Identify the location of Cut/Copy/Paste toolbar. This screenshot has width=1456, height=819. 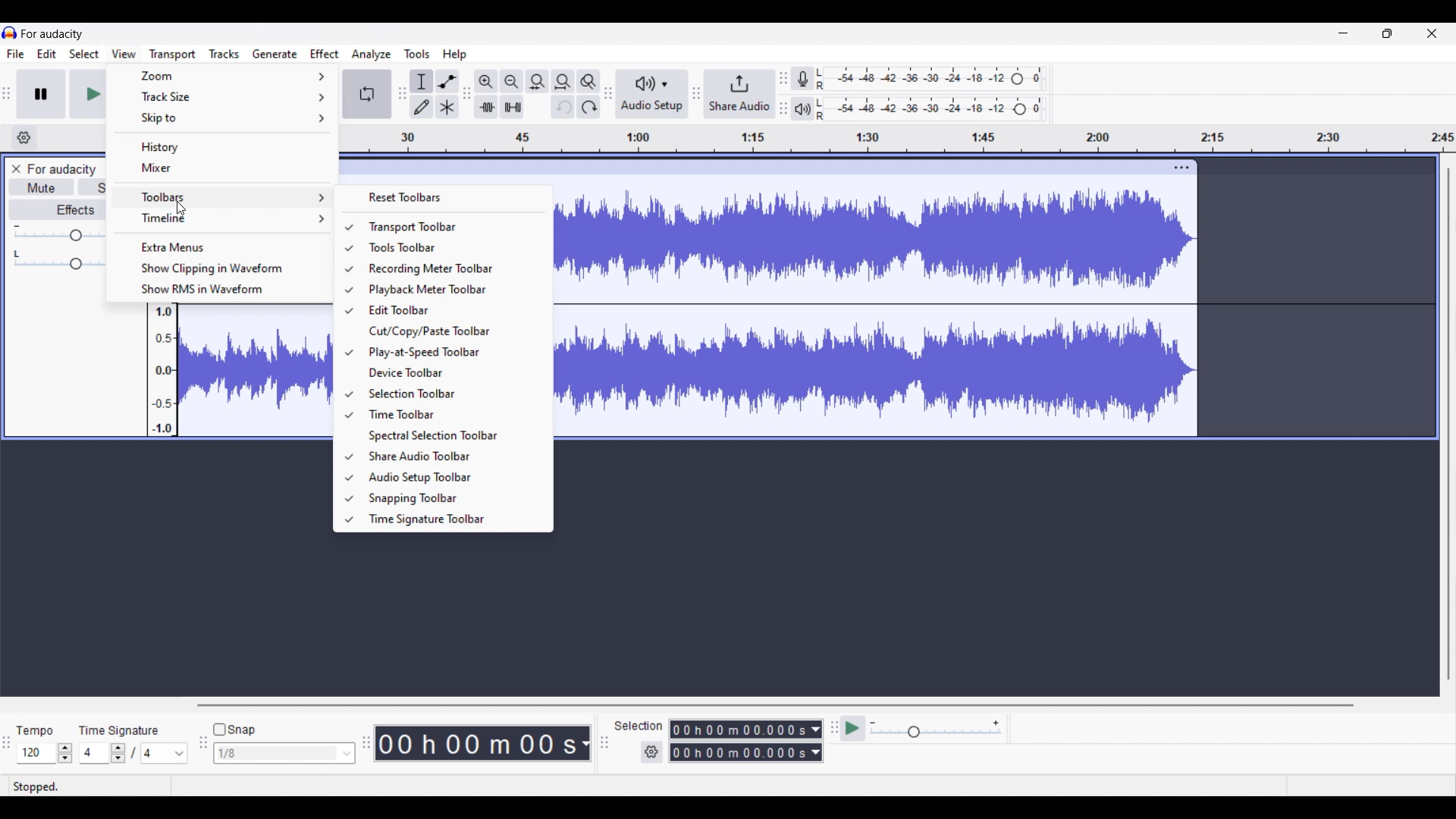
(452, 331).